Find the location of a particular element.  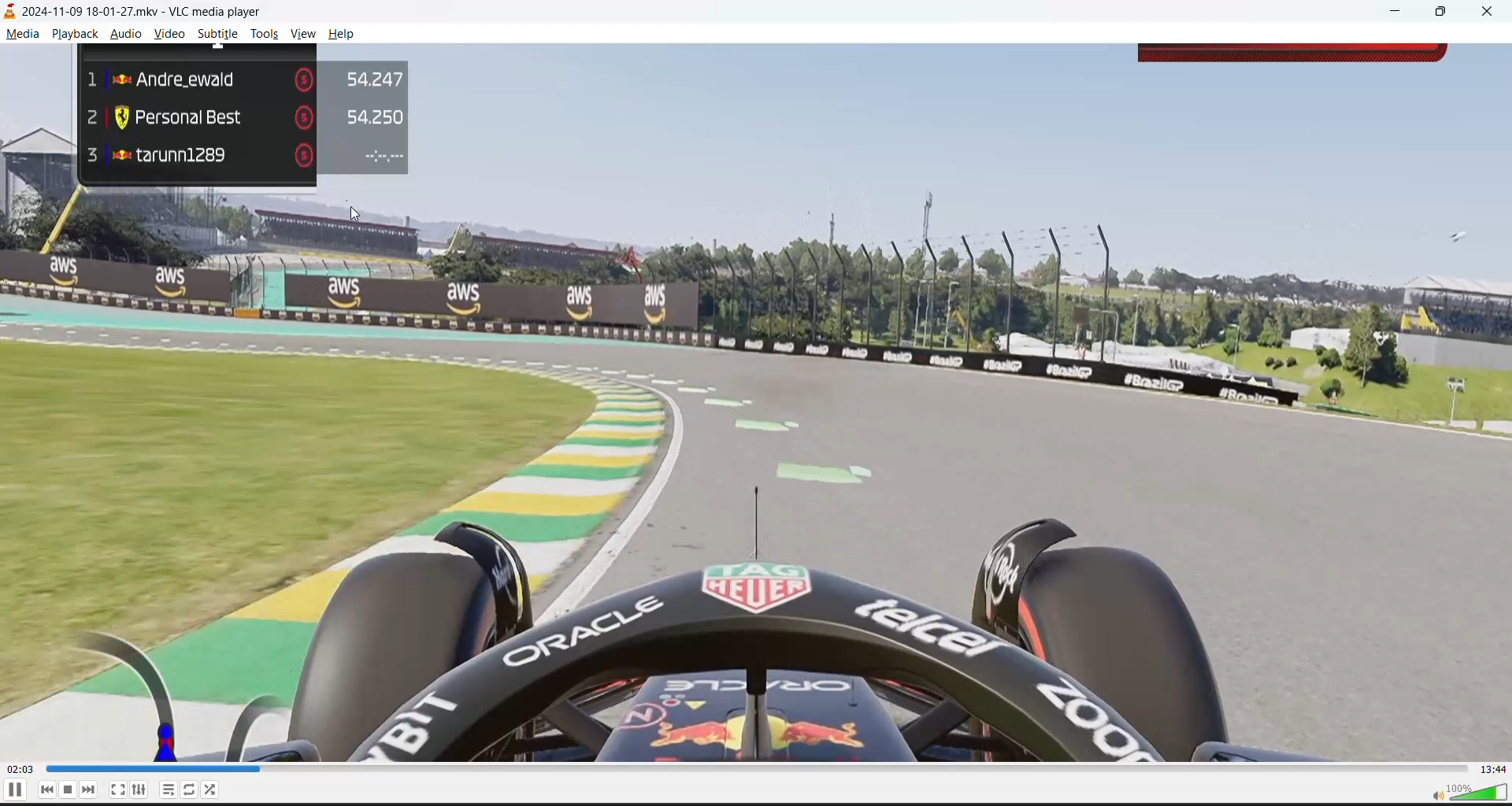

track and app name is located at coordinates (139, 9).